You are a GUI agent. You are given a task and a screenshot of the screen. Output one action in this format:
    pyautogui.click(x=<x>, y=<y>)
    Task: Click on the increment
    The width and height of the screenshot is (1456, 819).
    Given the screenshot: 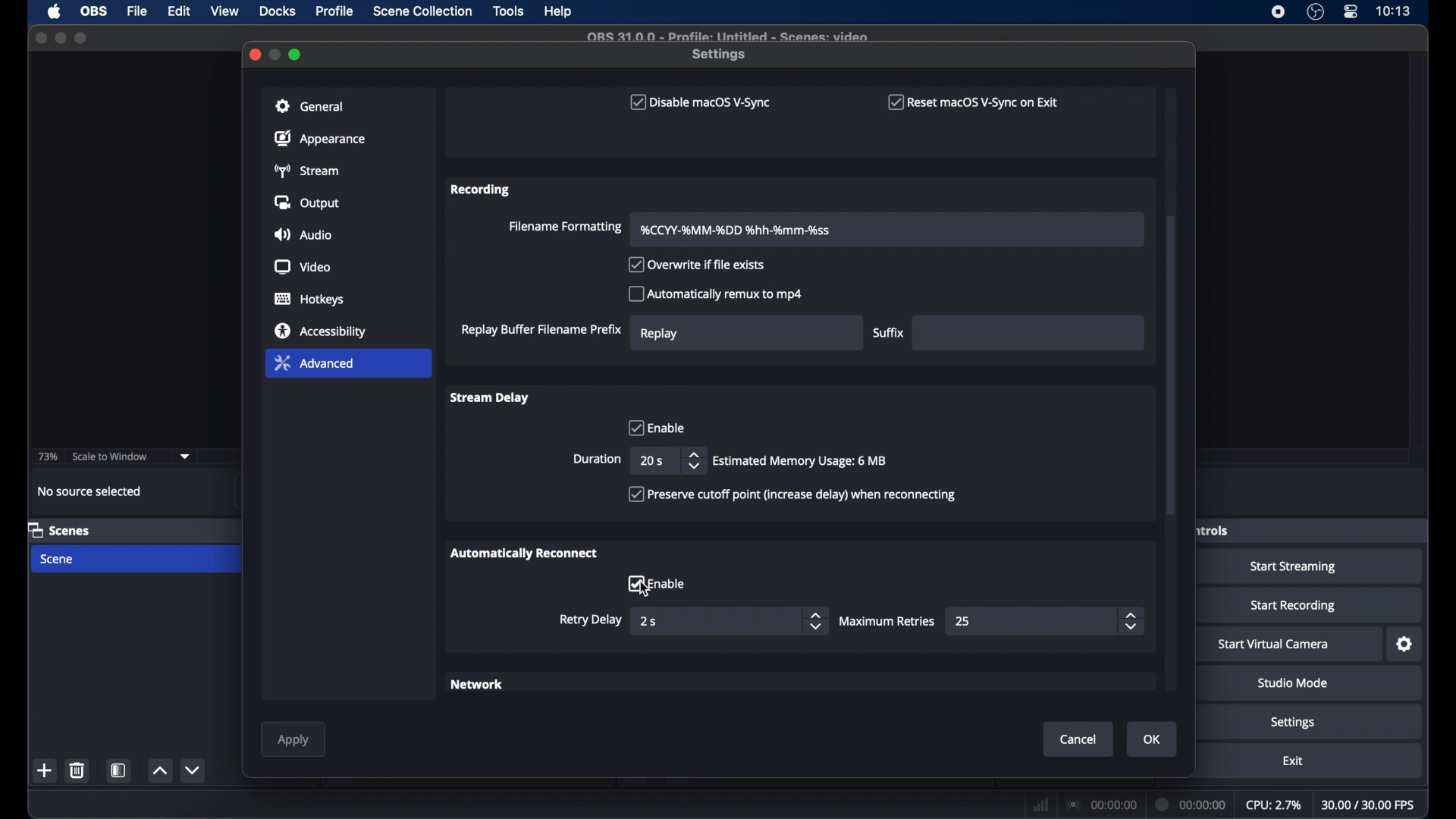 What is the action you would take?
    pyautogui.click(x=160, y=771)
    